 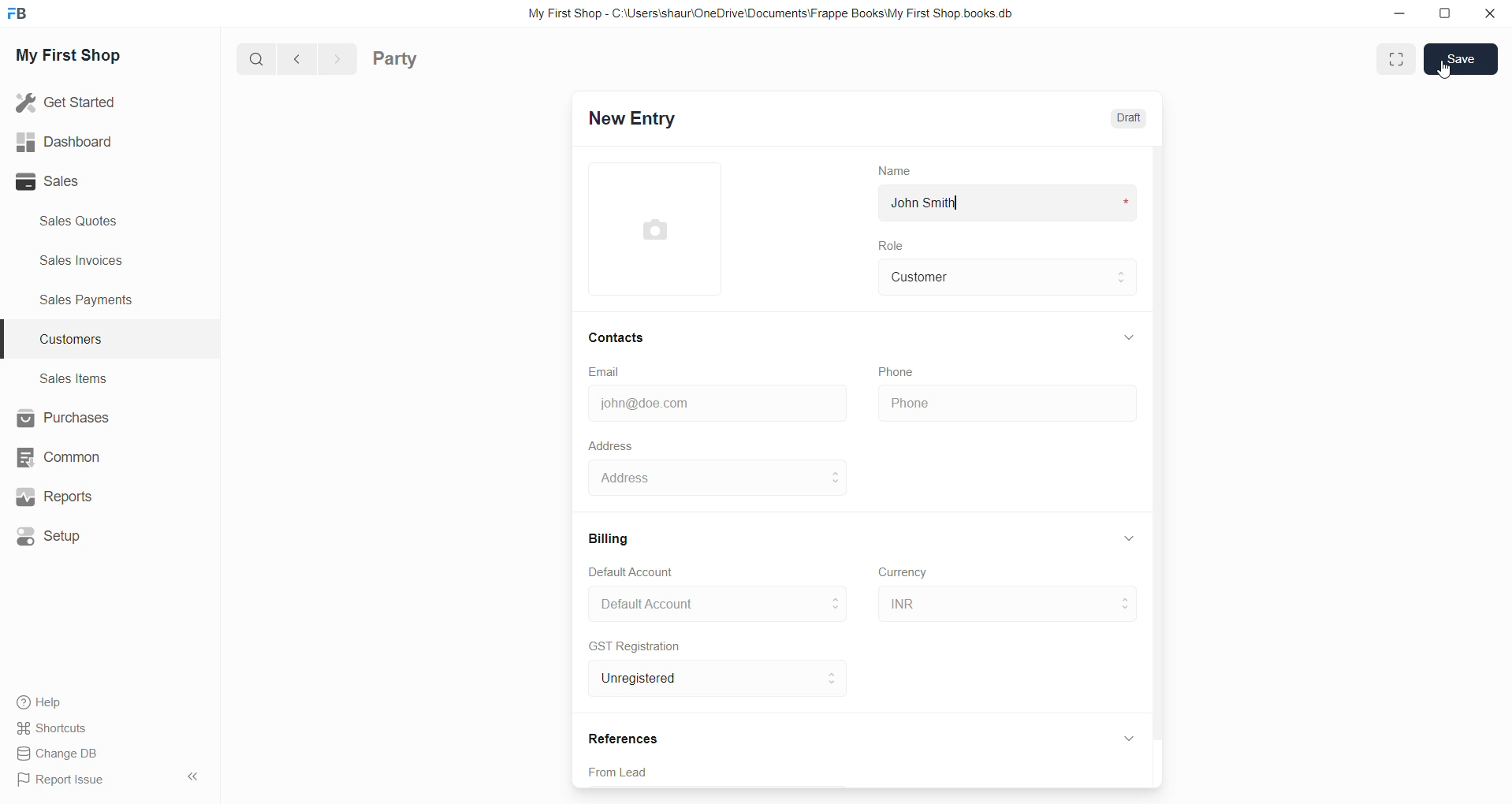 I want to click on Help, so click(x=37, y=700).